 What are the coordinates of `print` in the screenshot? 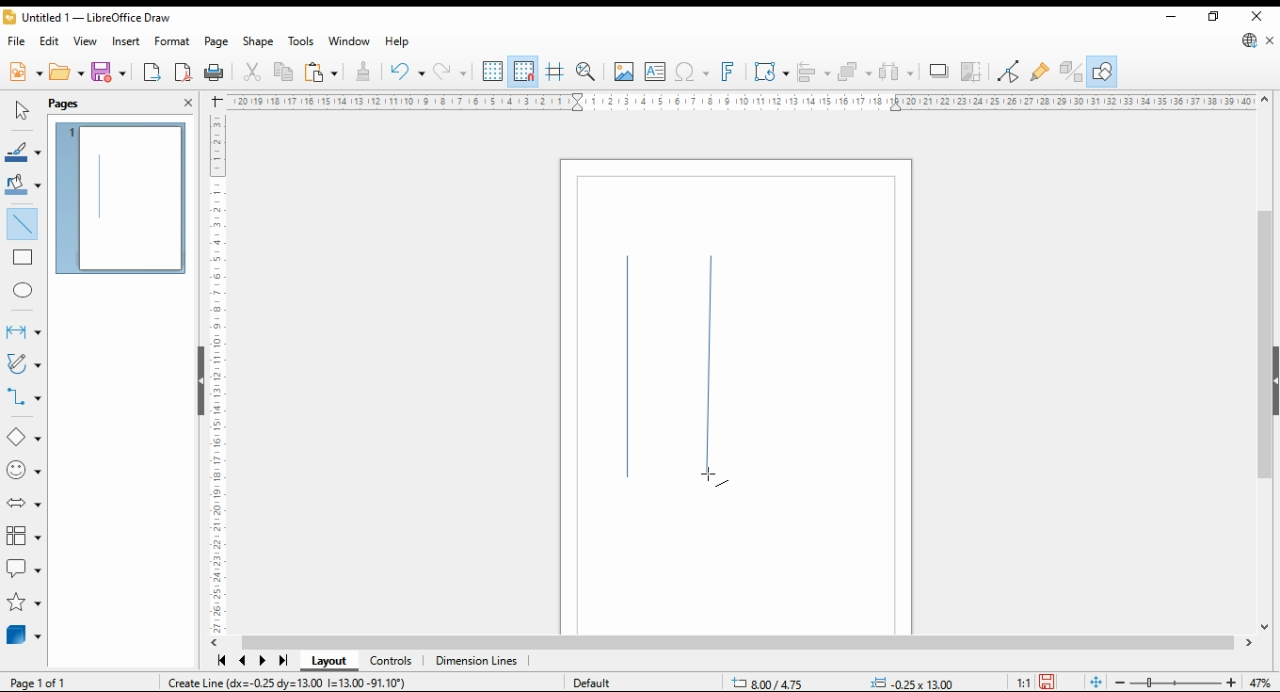 It's located at (215, 71).